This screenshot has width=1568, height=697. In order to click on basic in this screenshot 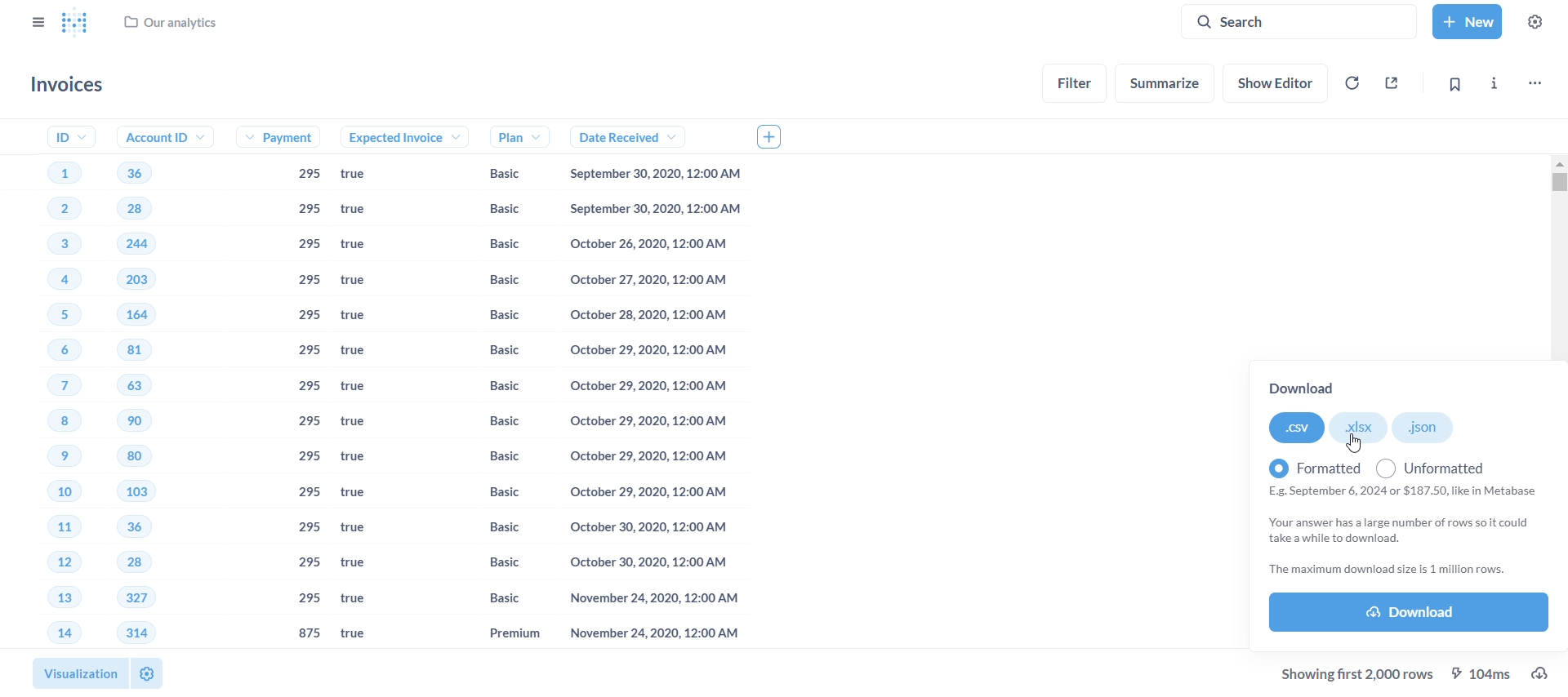, I will do `click(491, 598)`.